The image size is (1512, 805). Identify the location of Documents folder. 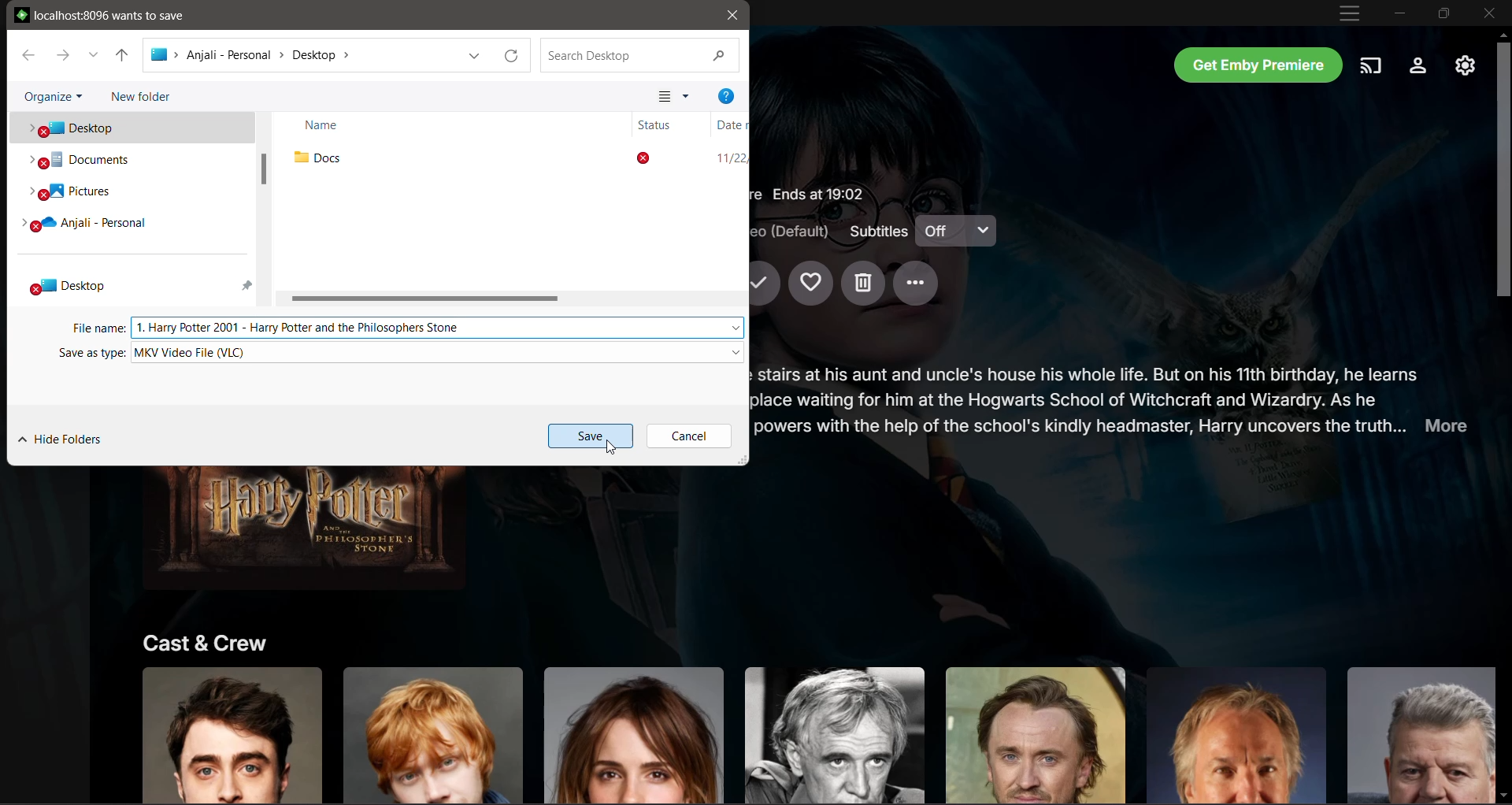
(130, 161).